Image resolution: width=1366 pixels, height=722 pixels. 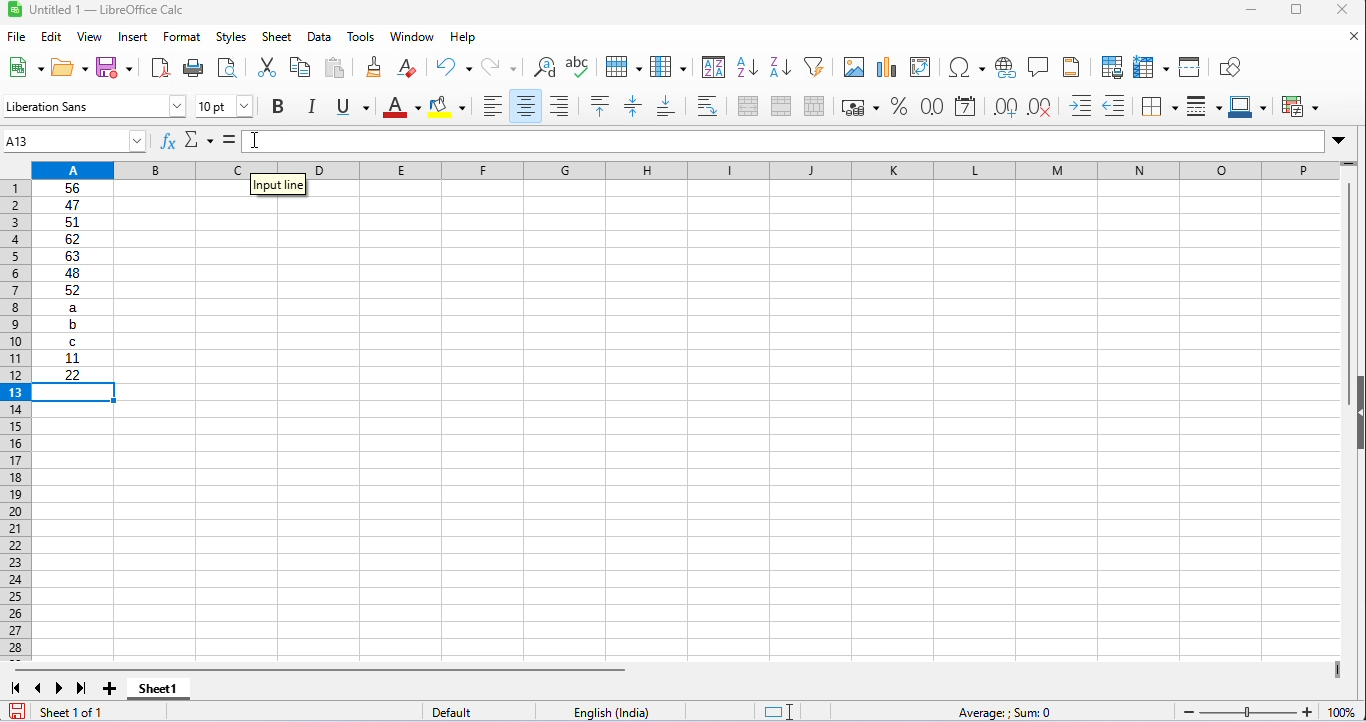 What do you see at coordinates (1247, 106) in the screenshot?
I see `border color` at bounding box center [1247, 106].